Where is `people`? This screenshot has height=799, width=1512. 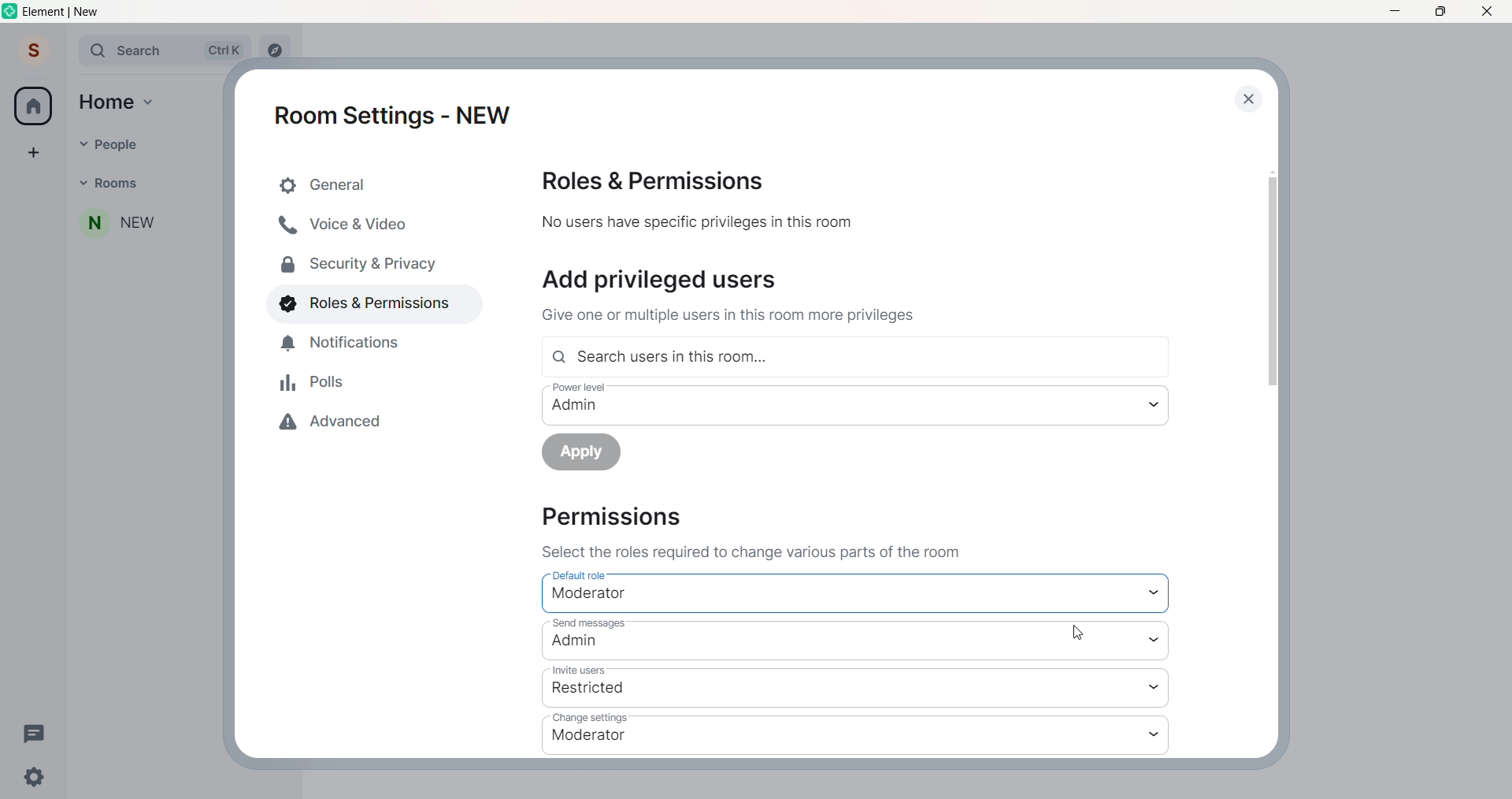
people is located at coordinates (106, 144).